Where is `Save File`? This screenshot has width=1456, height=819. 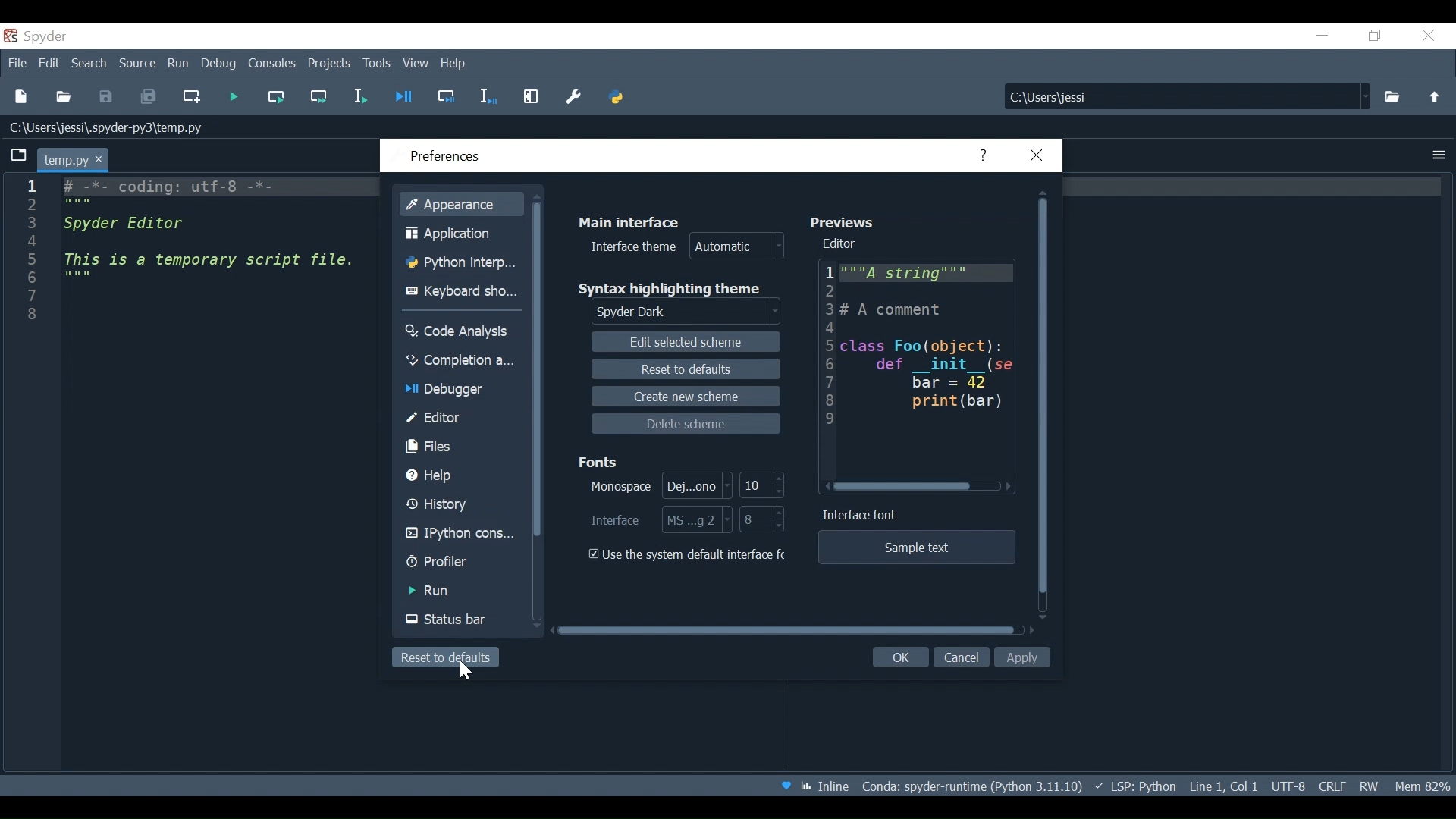
Save File is located at coordinates (106, 96).